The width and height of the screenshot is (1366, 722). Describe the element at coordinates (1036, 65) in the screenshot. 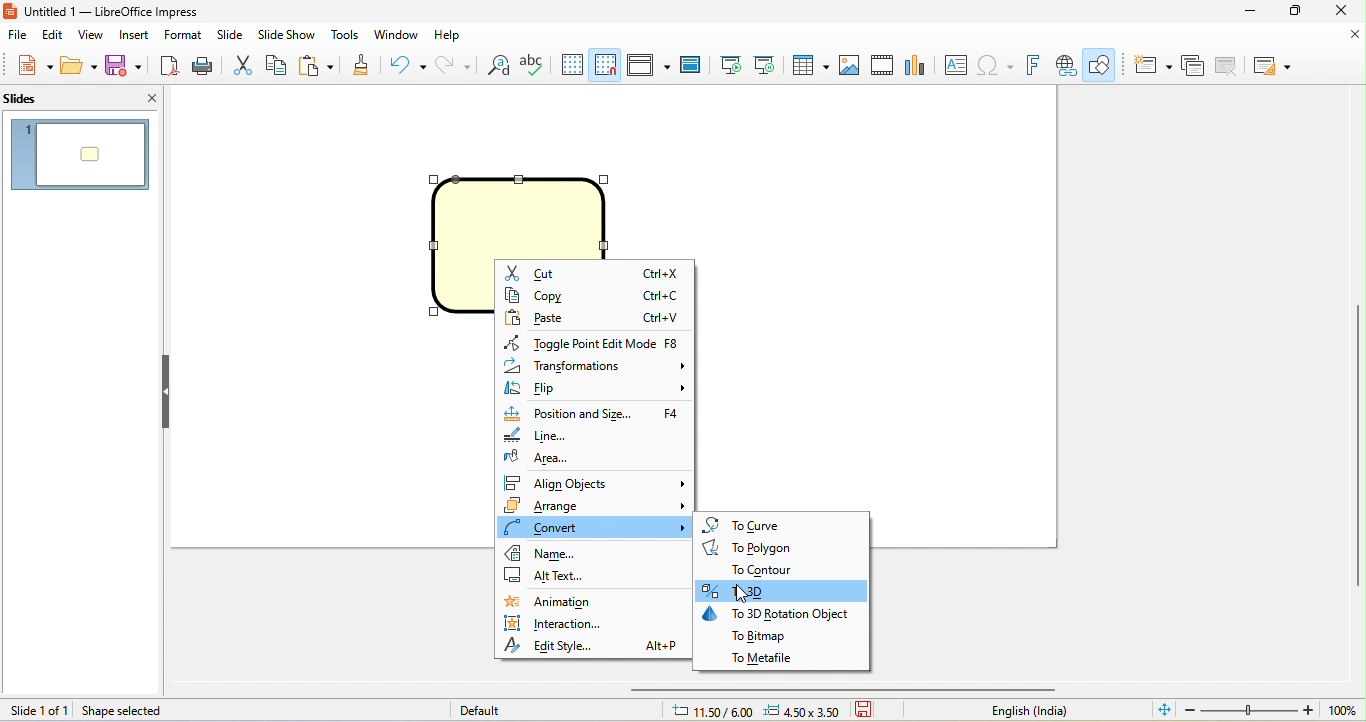

I see `fontwork text` at that location.